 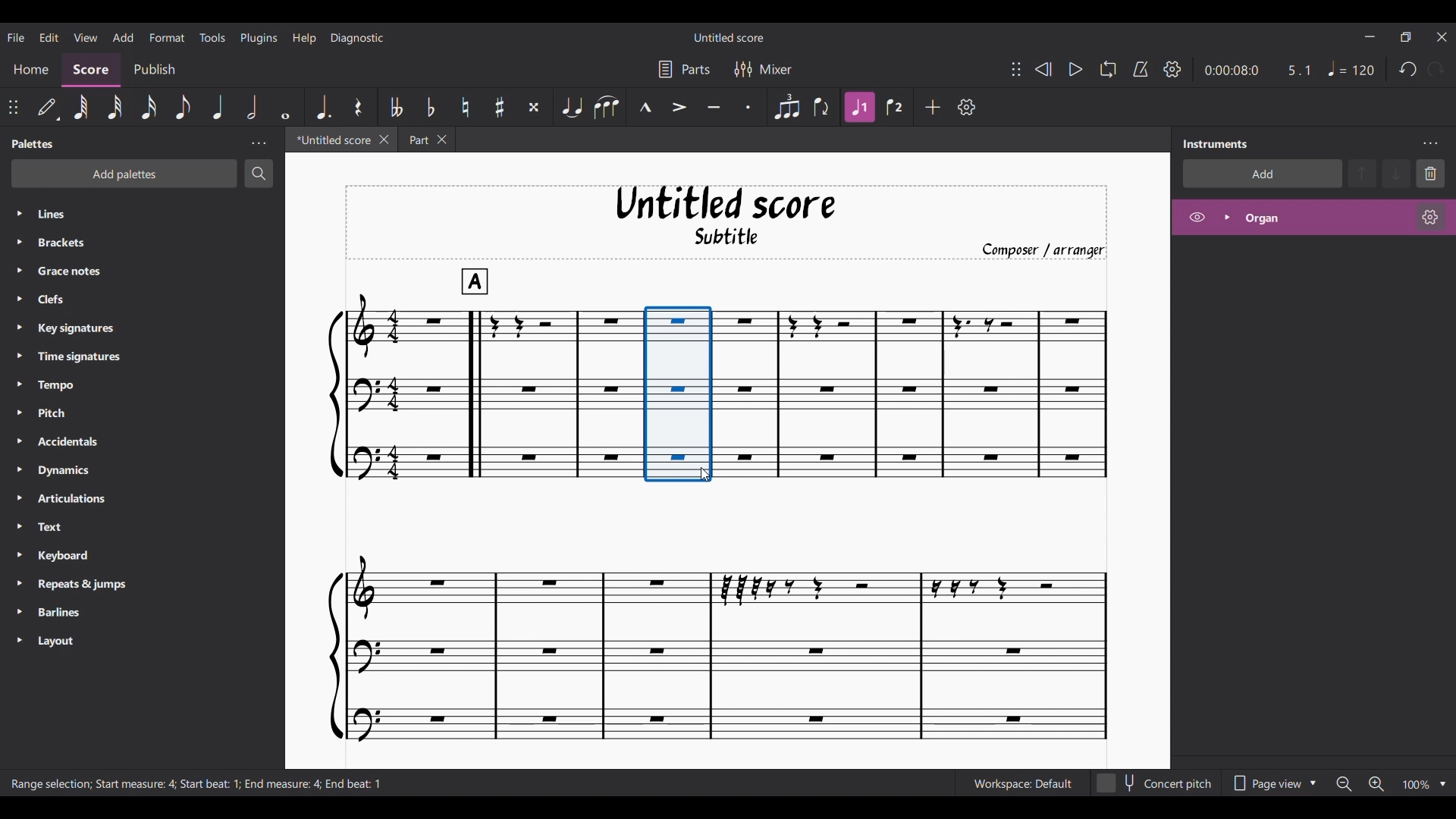 What do you see at coordinates (32, 143) in the screenshot?
I see `Panel title` at bounding box center [32, 143].